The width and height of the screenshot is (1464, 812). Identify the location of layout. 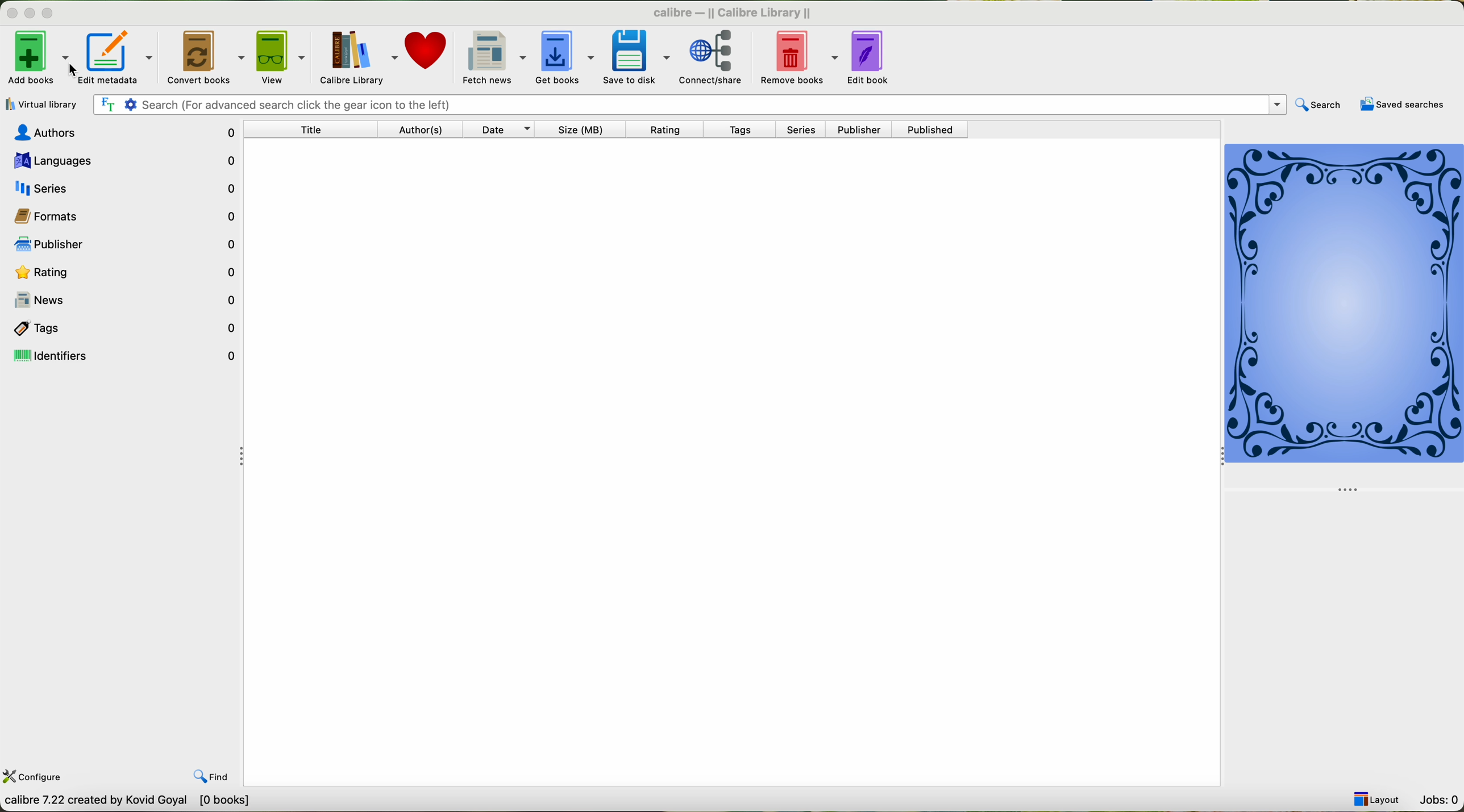
(1377, 799).